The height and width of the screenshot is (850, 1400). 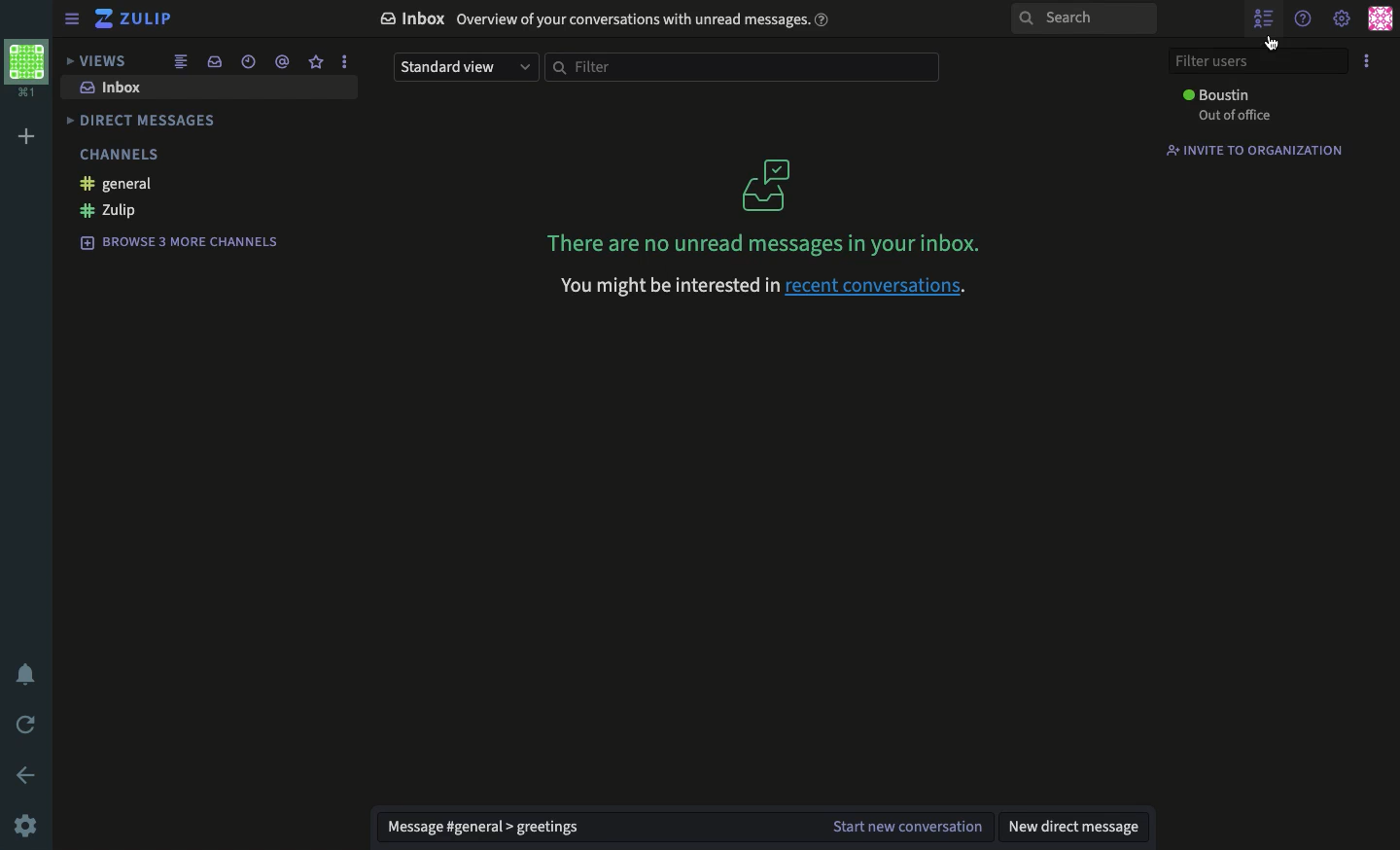 I want to click on standard view, so click(x=465, y=68).